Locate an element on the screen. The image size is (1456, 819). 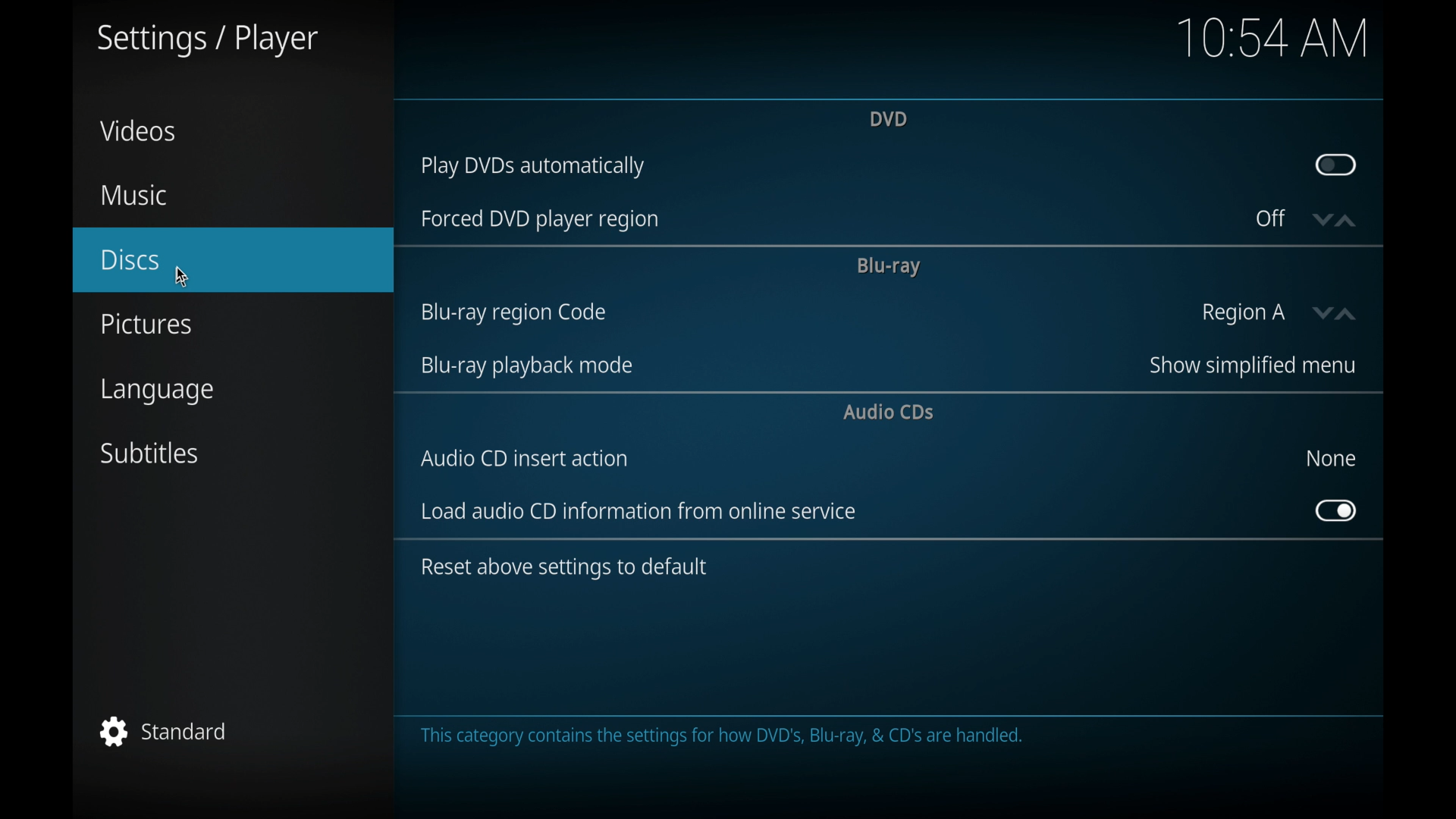
pictures is located at coordinates (146, 325).